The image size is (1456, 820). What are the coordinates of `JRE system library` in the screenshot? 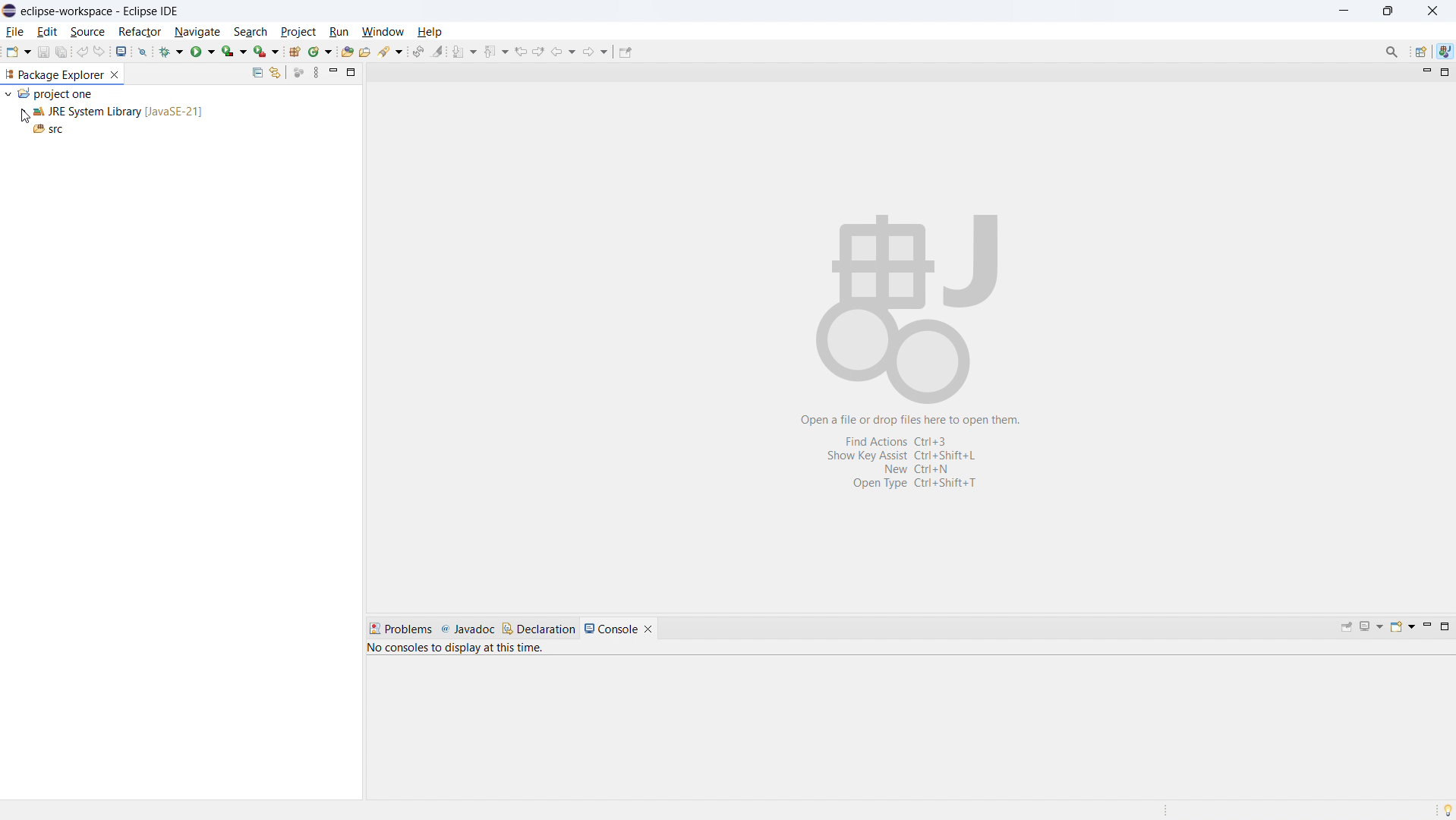 It's located at (120, 112).